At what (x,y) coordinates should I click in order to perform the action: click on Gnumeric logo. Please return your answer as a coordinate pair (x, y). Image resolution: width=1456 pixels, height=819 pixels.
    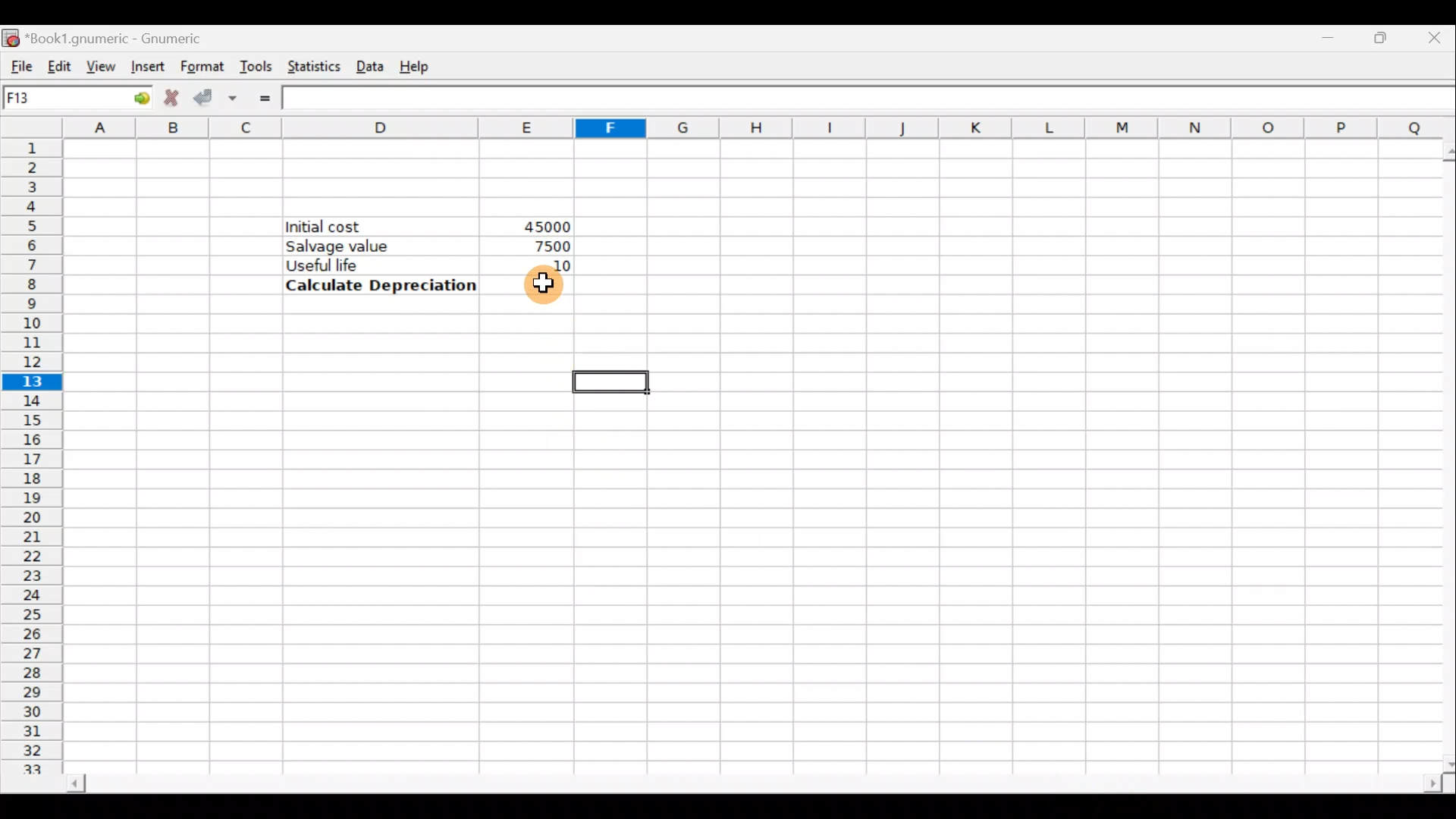
    Looking at the image, I should click on (12, 35).